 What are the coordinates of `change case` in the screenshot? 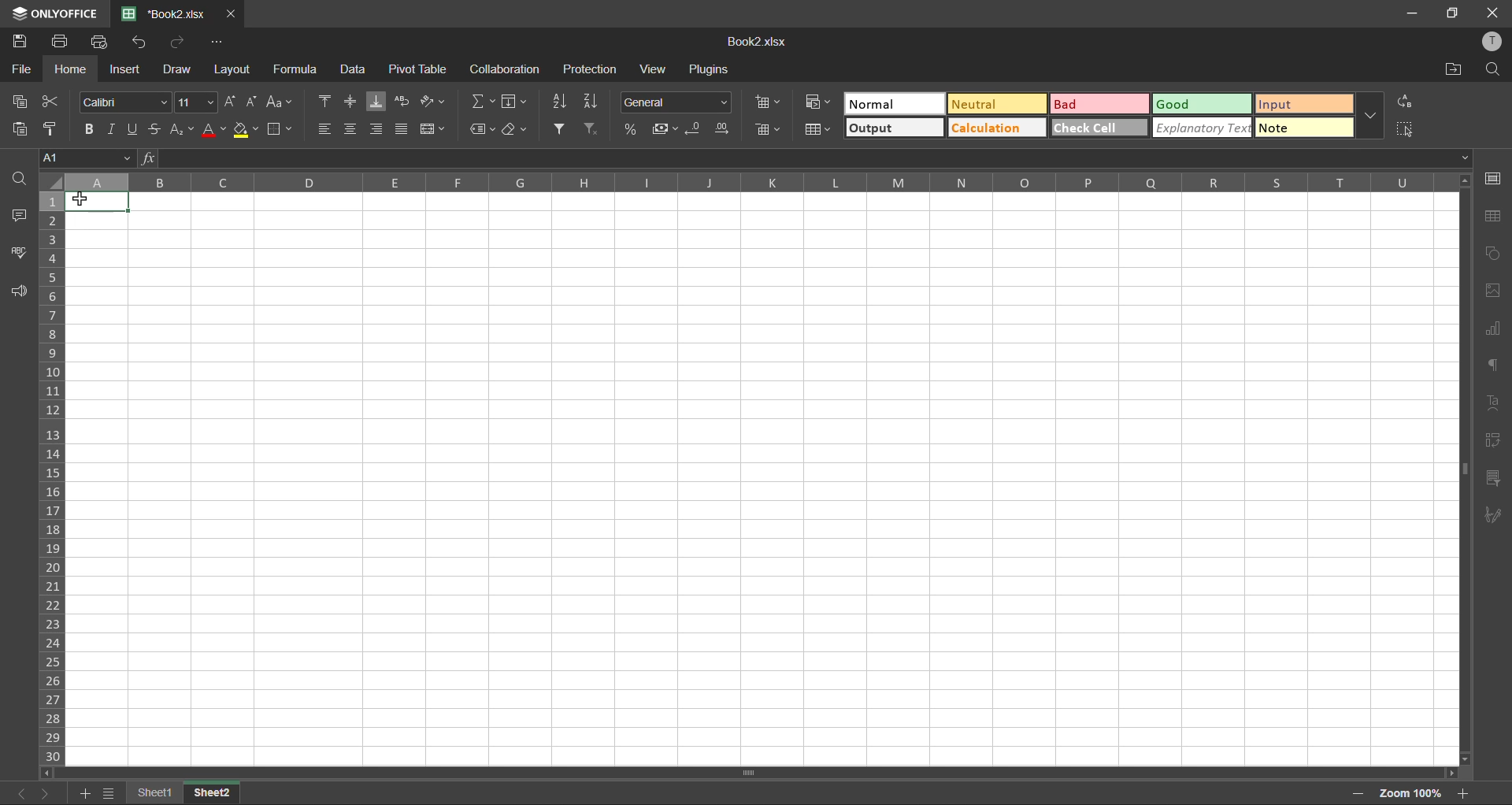 It's located at (277, 102).